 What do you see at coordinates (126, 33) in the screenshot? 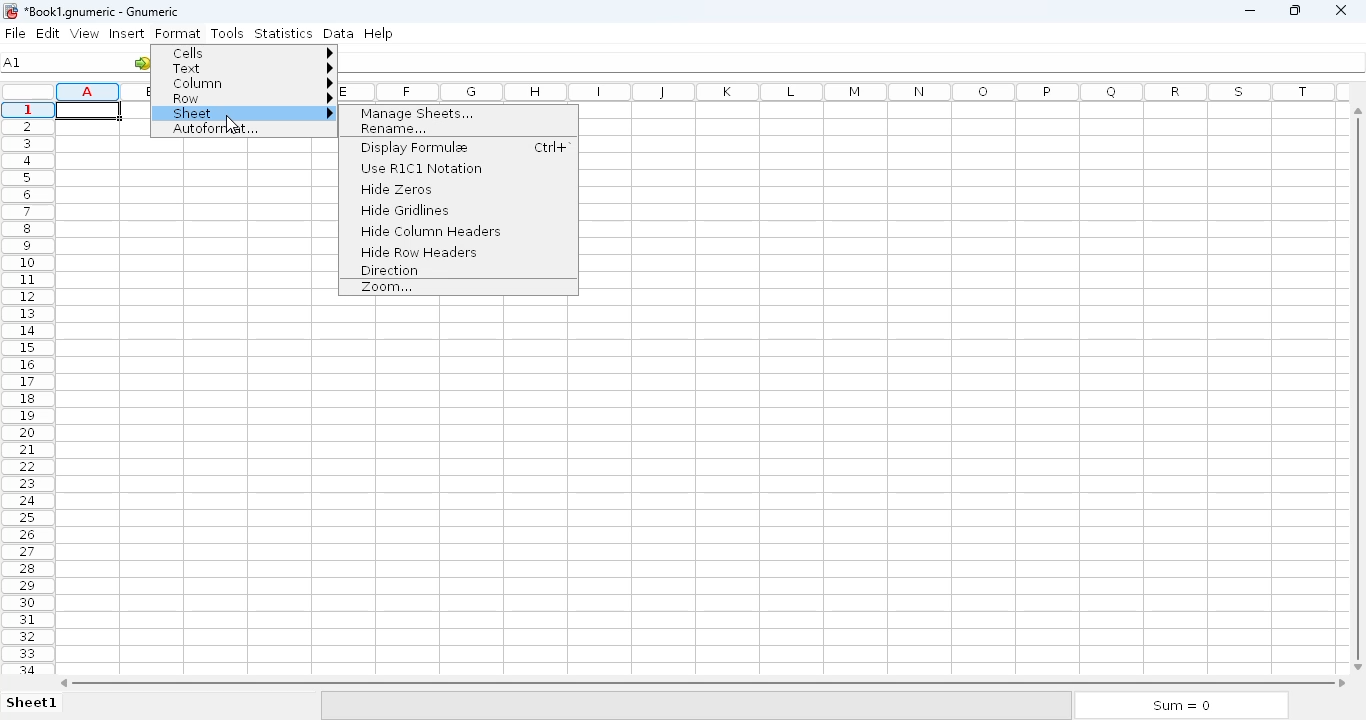
I see `insert` at bounding box center [126, 33].